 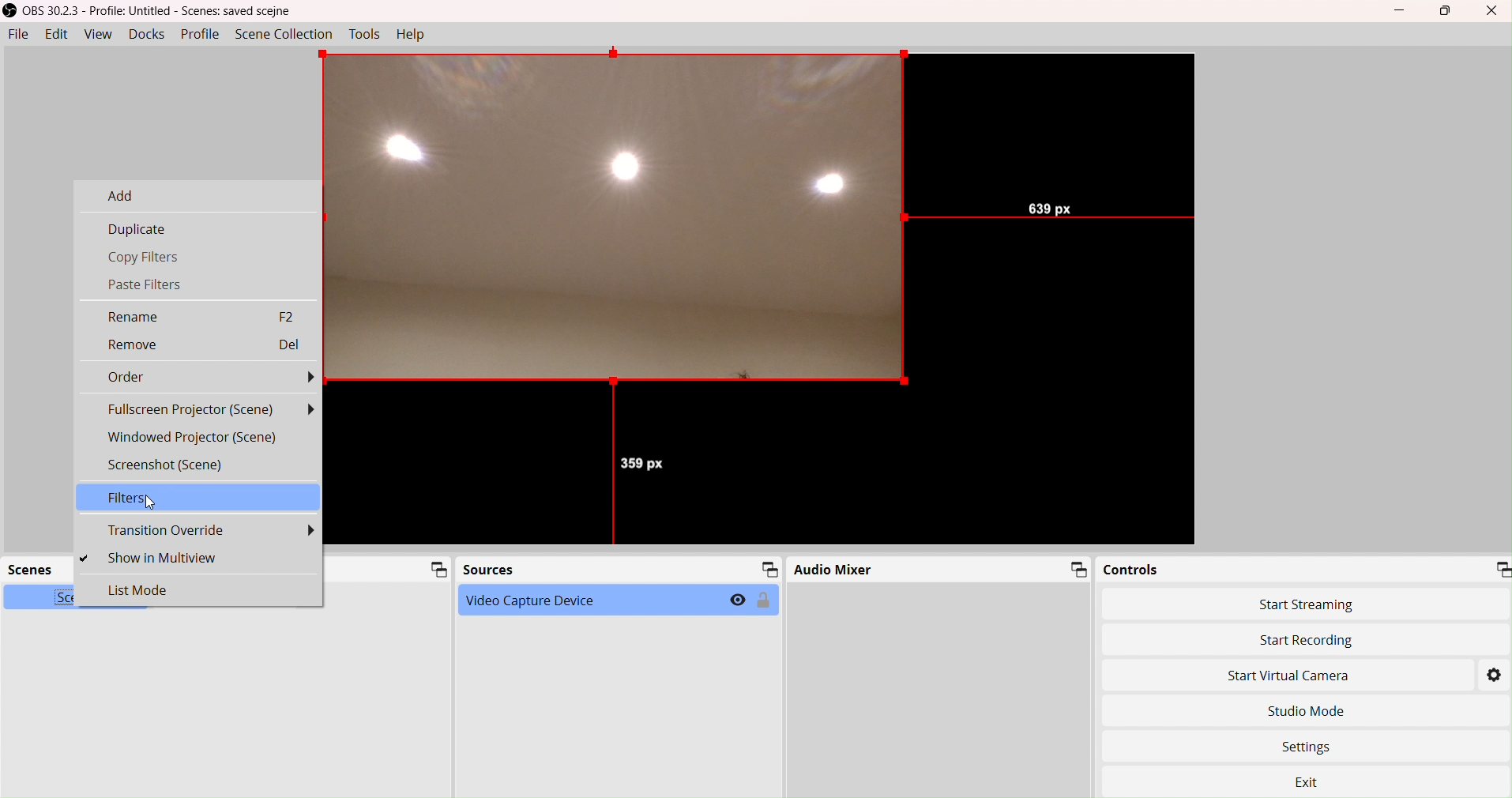 I want to click on Filters, so click(x=131, y=500).